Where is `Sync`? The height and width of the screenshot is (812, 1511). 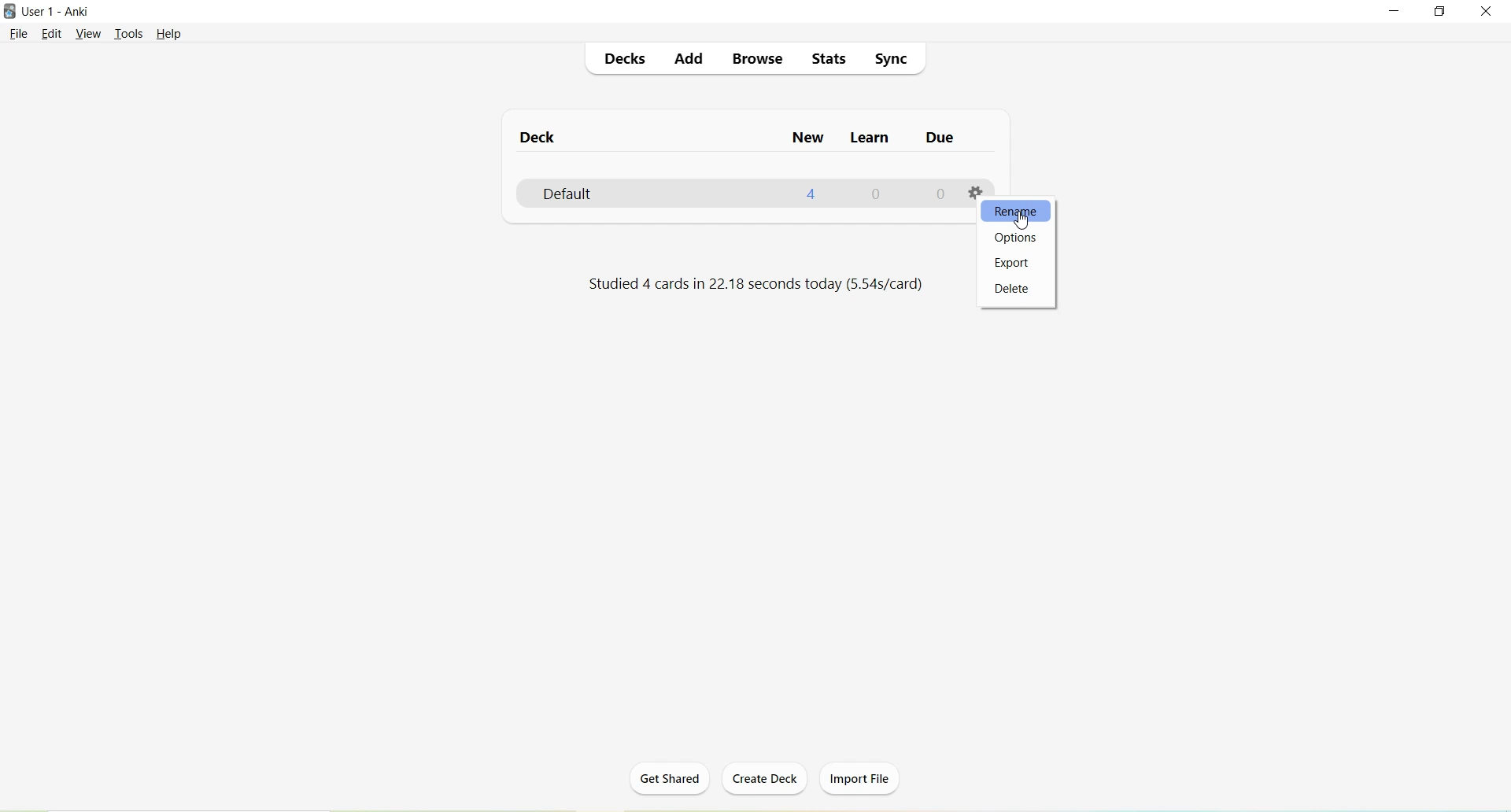 Sync is located at coordinates (890, 61).